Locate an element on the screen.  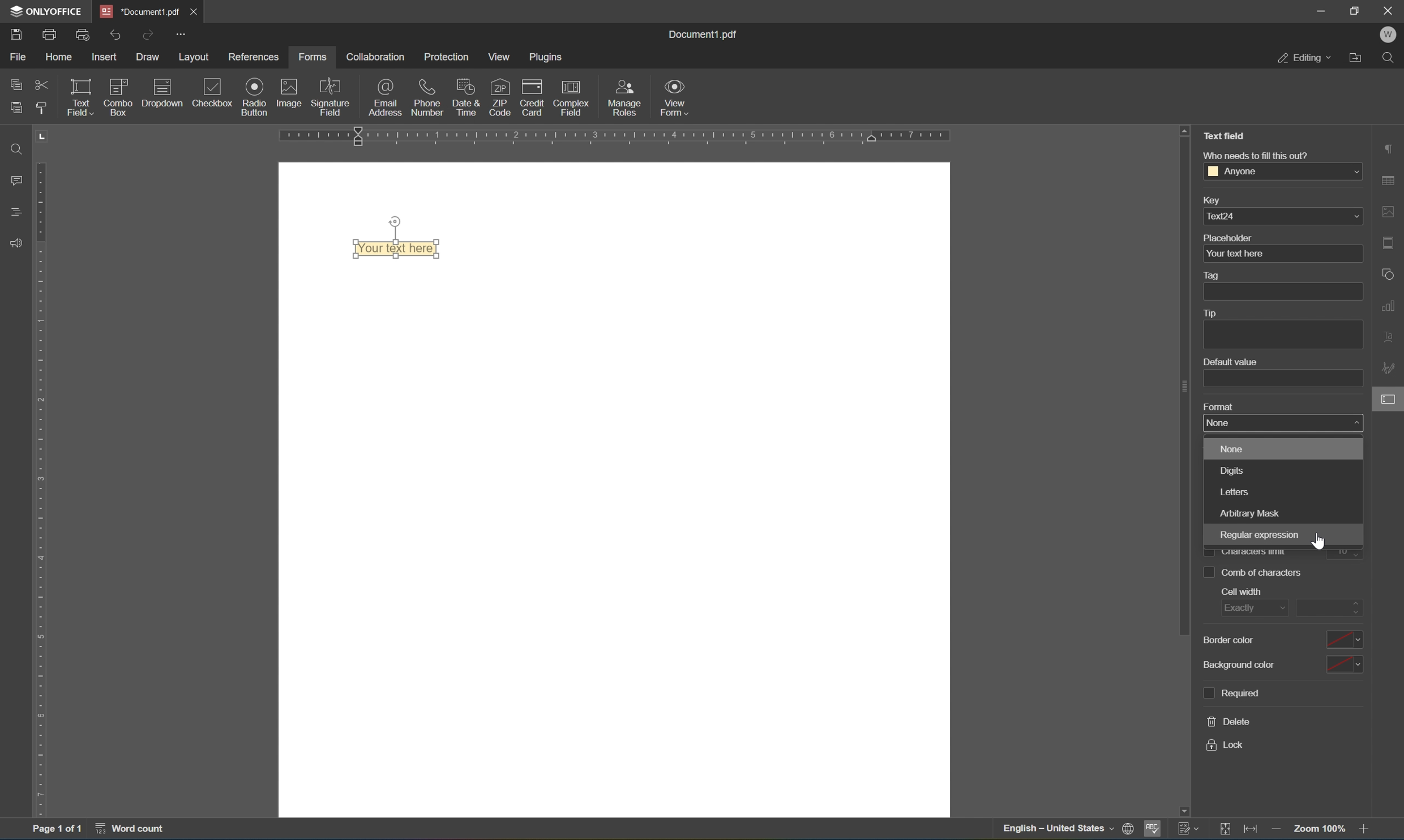
tag is located at coordinates (1214, 276).